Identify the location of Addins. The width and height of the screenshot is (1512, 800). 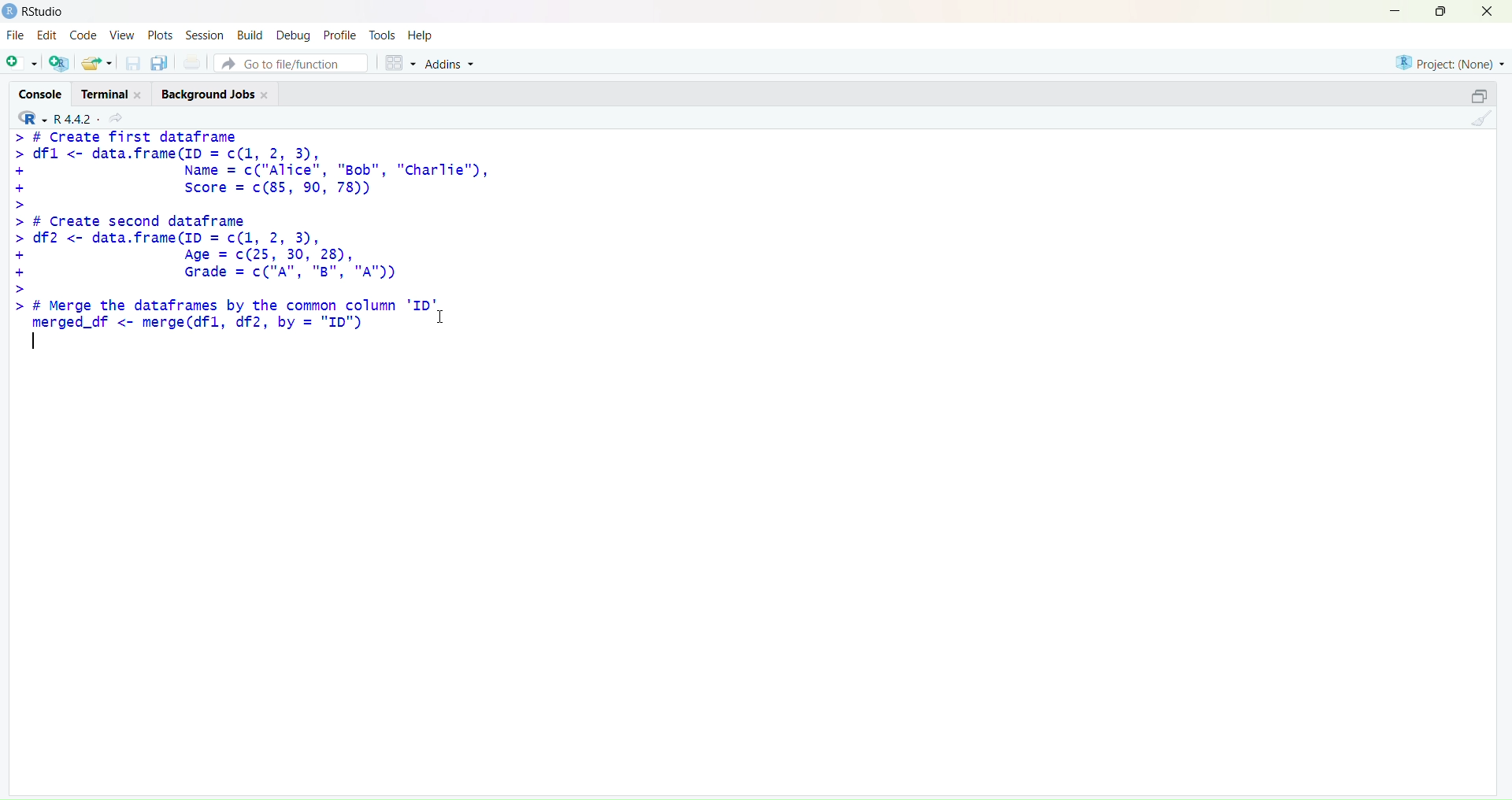
(450, 63).